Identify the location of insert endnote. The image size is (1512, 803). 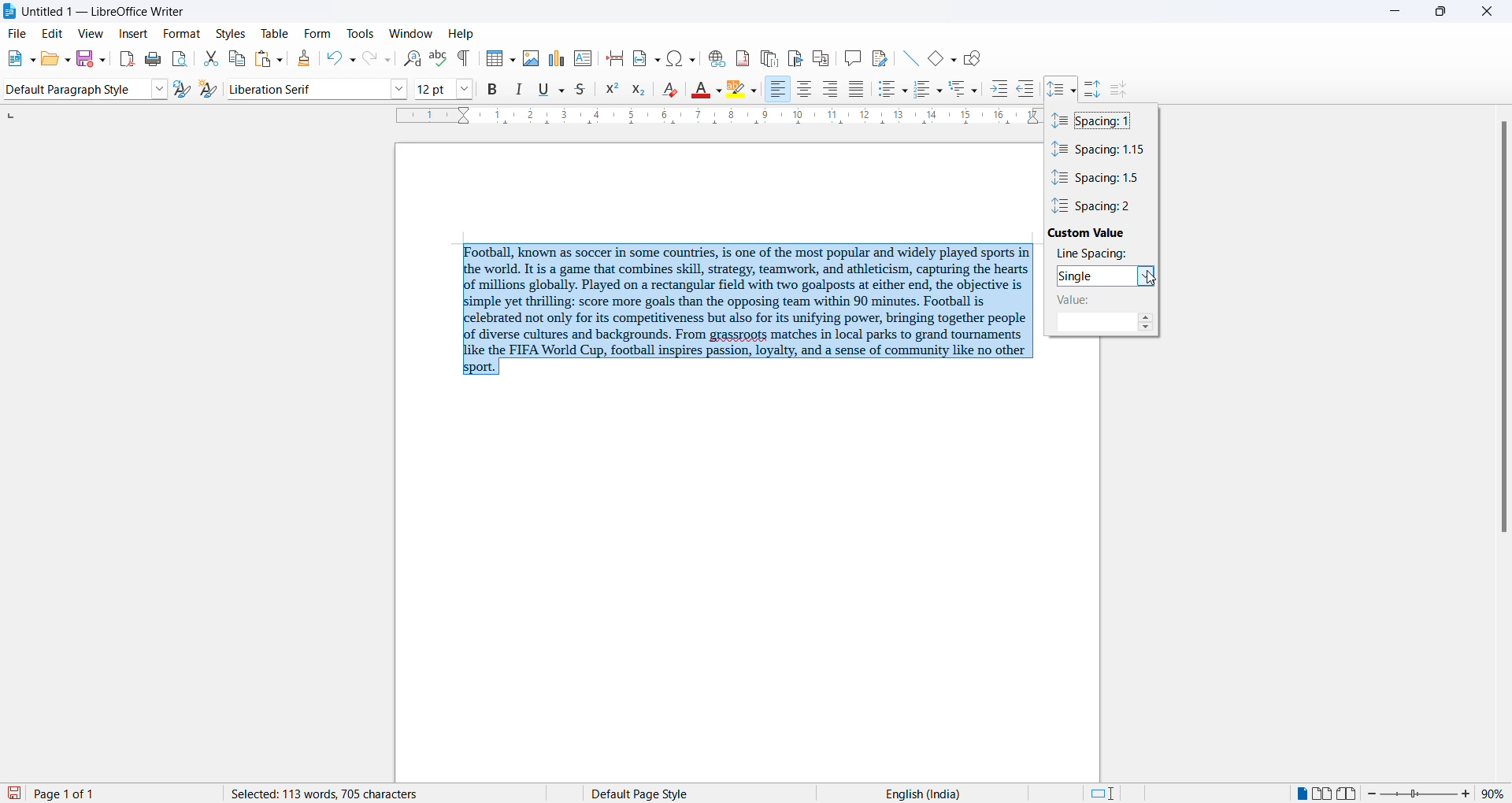
(769, 56).